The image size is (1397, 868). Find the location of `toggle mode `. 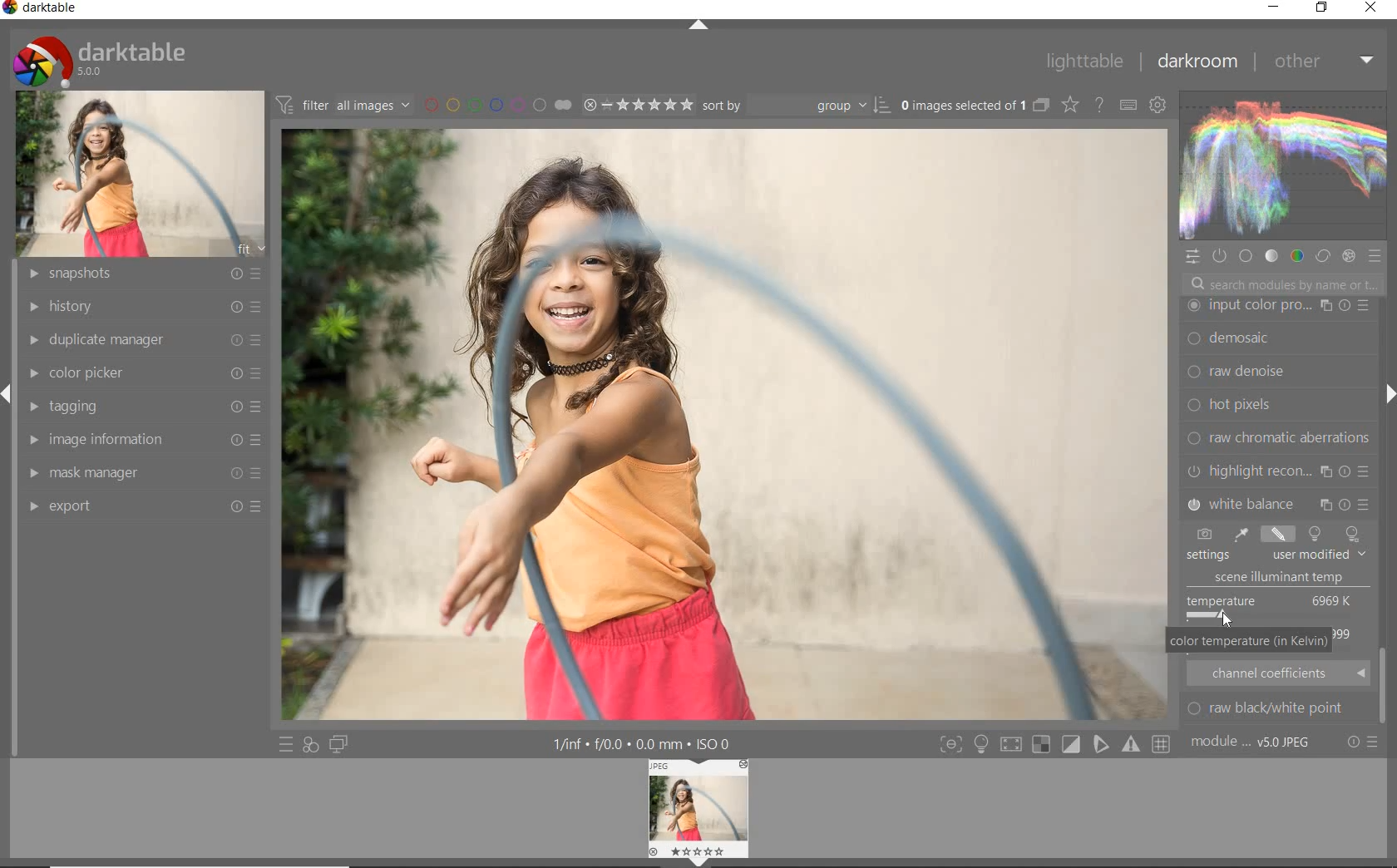

toggle mode  is located at coordinates (1044, 746).